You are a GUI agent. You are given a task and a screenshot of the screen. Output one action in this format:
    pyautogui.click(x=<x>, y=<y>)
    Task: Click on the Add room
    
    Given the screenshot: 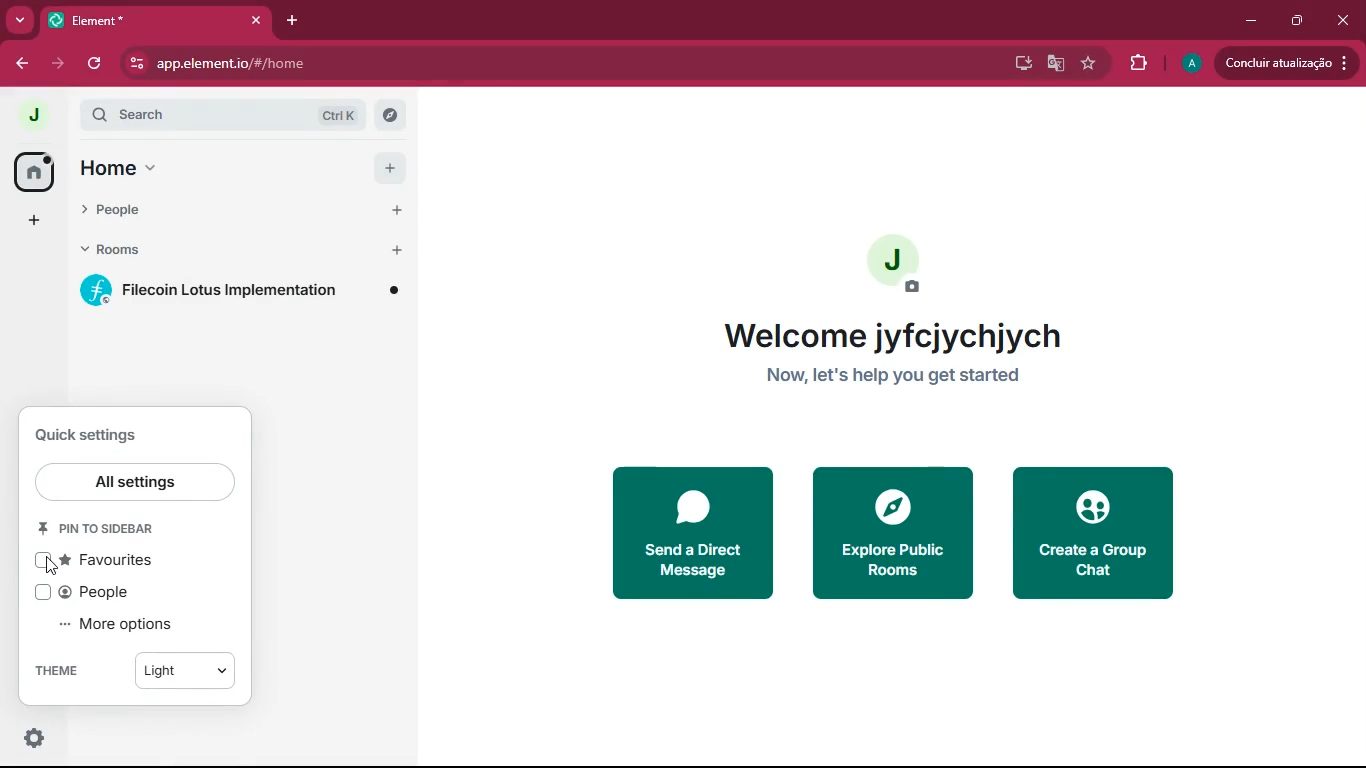 What is the action you would take?
    pyautogui.click(x=396, y=255)
    